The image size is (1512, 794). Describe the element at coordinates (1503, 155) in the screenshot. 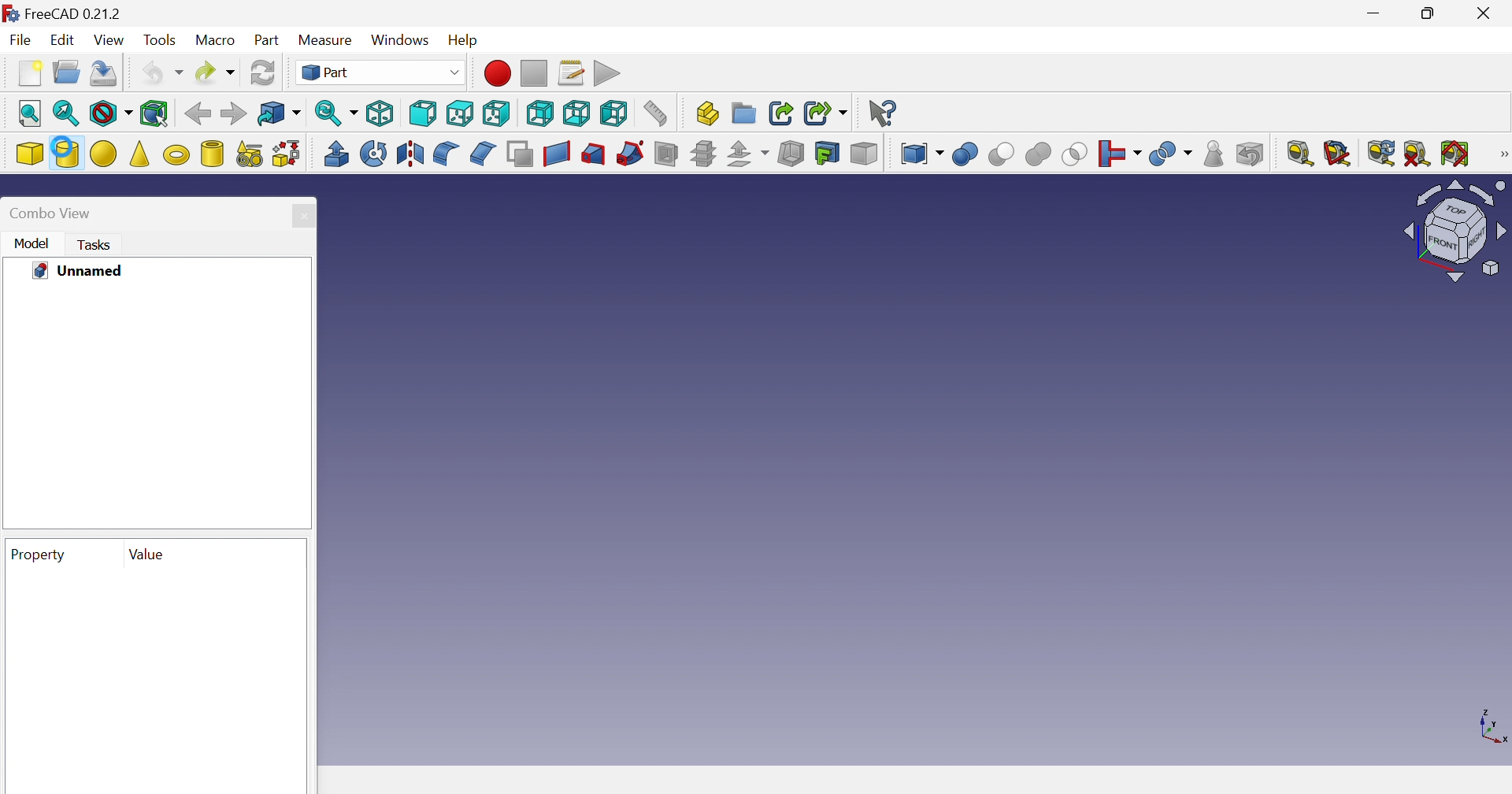

I see `[Measure]` at that location.